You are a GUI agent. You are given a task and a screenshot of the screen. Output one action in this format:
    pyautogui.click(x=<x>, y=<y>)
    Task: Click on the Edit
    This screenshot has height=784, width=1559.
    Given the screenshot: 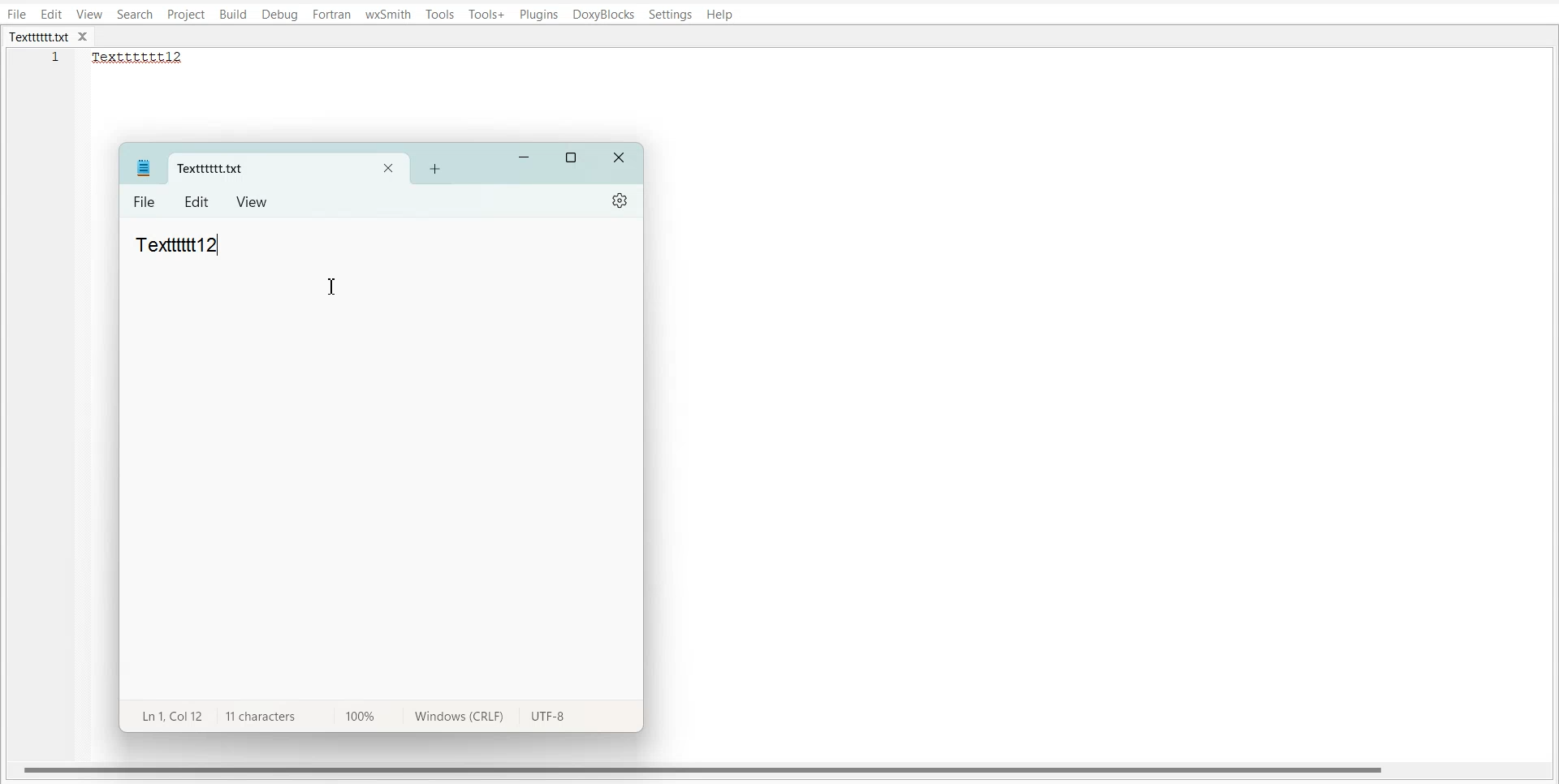 What is the action you would take?
    pyautogui.click(x=198, y=202)
    